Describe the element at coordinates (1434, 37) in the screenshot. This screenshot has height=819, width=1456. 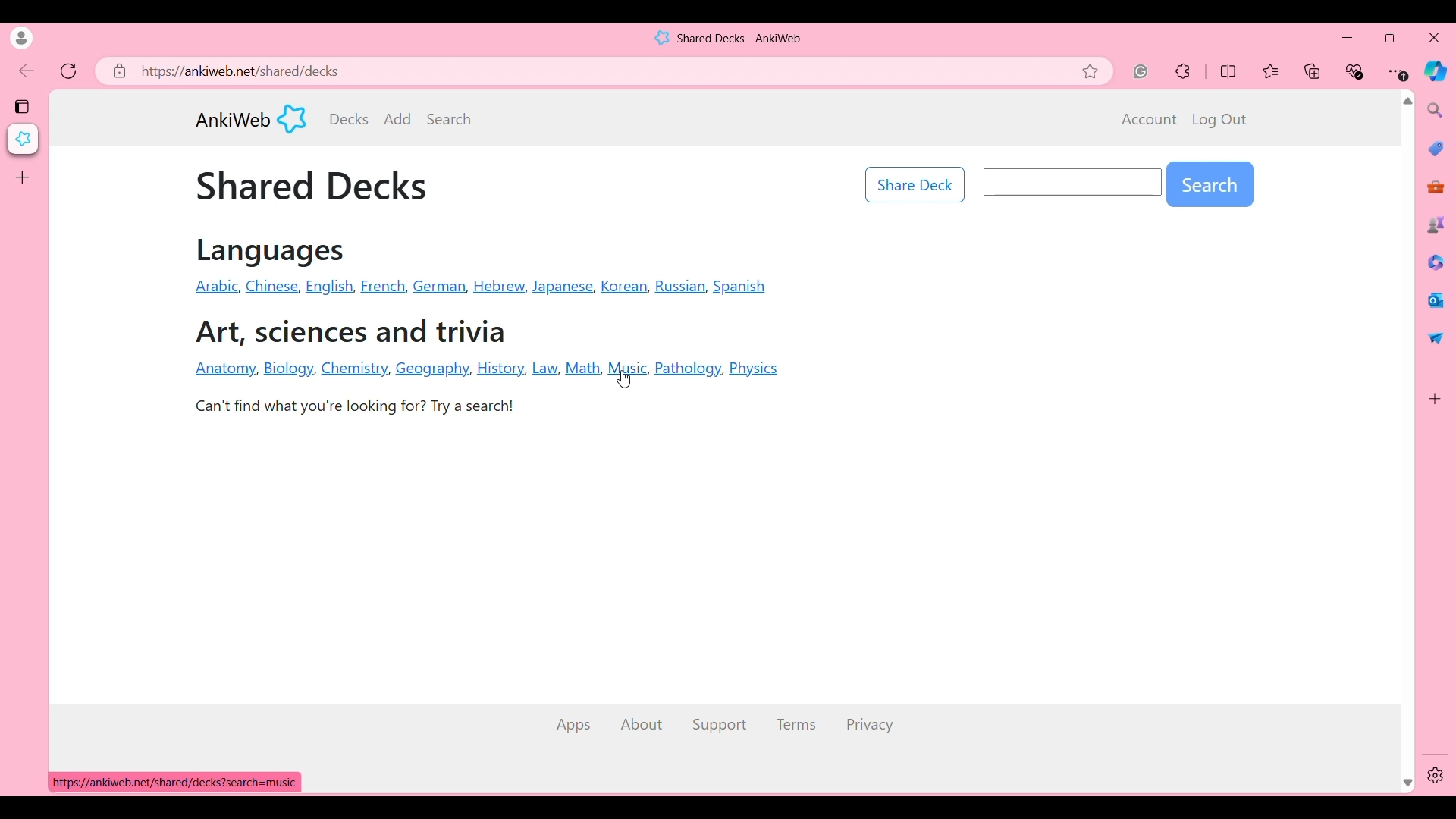
I see `Close browser` at that location.